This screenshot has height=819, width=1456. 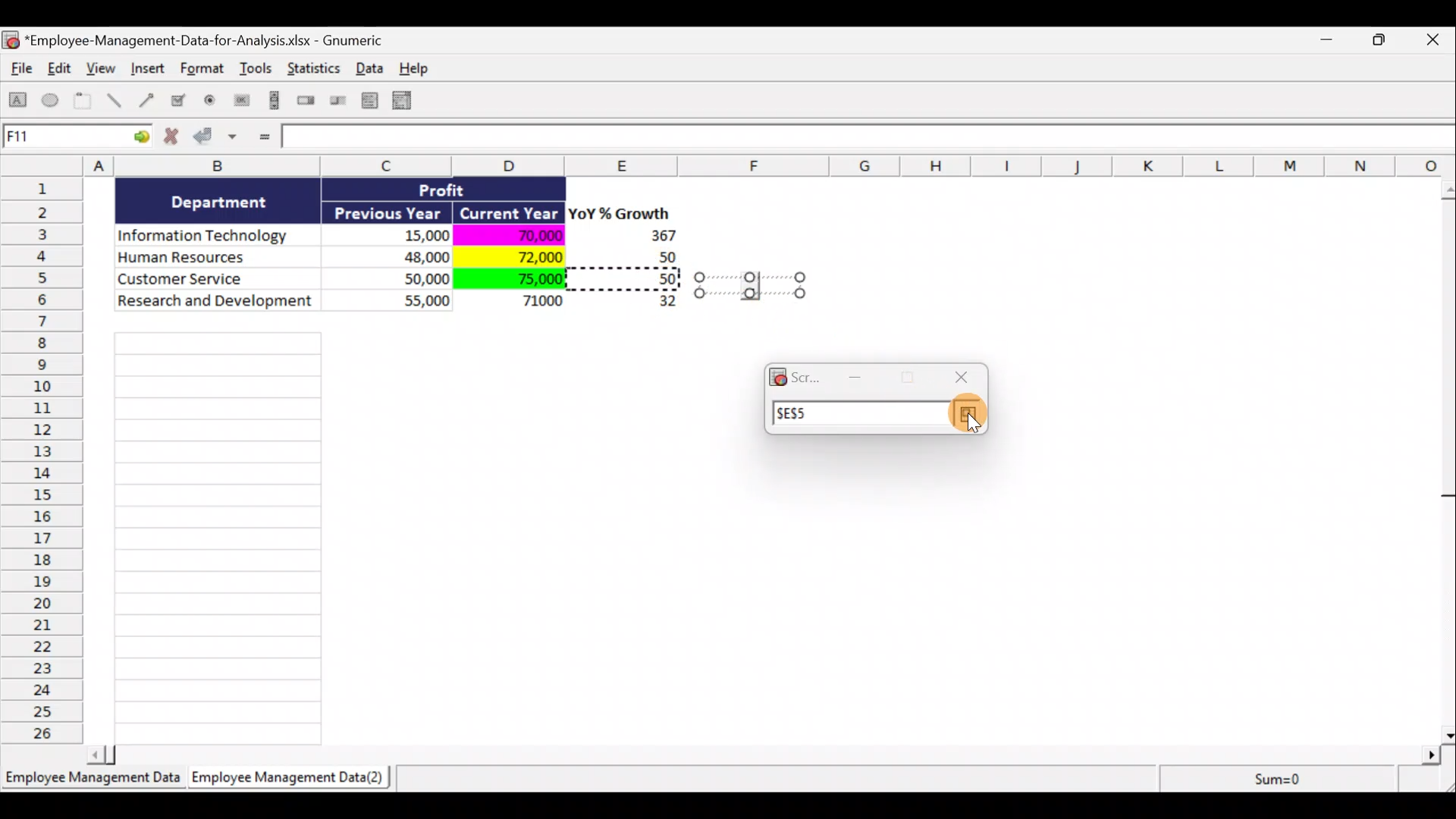 I want to click on Document name, so click(x=201, y=42).